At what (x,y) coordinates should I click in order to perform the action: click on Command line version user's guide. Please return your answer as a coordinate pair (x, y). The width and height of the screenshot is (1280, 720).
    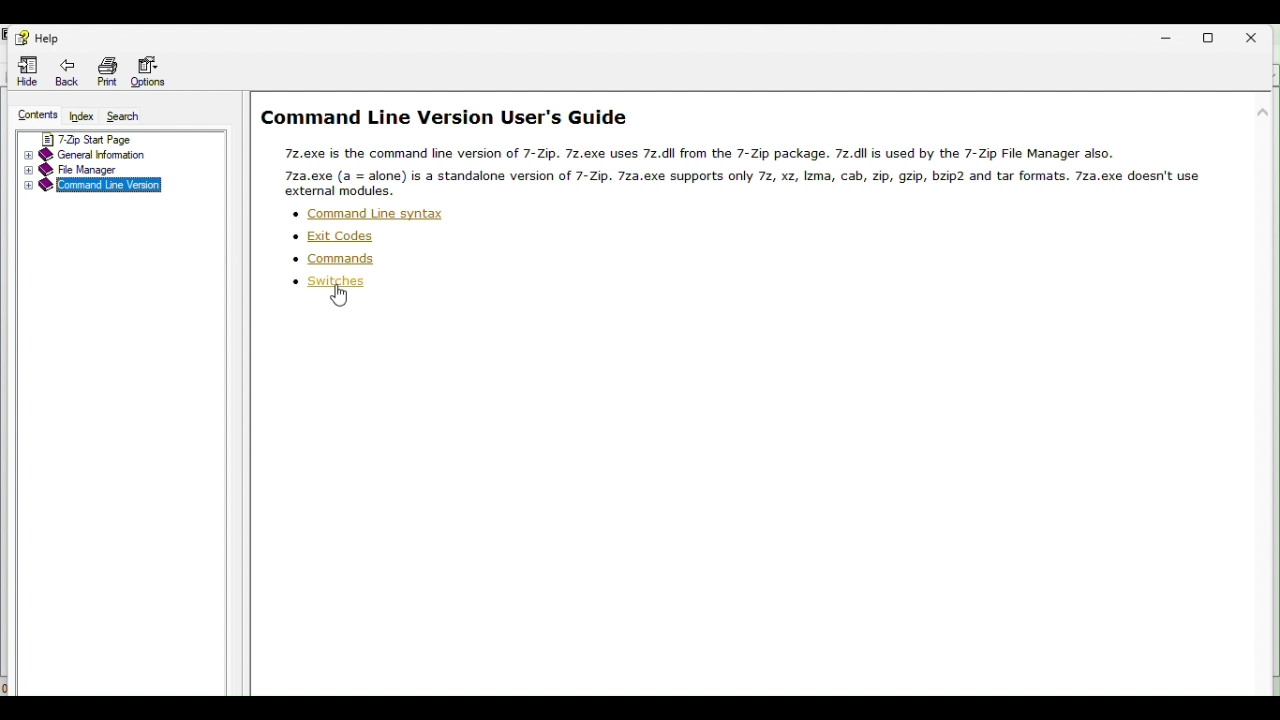
    Looking at the image, I should click on (449, 116).